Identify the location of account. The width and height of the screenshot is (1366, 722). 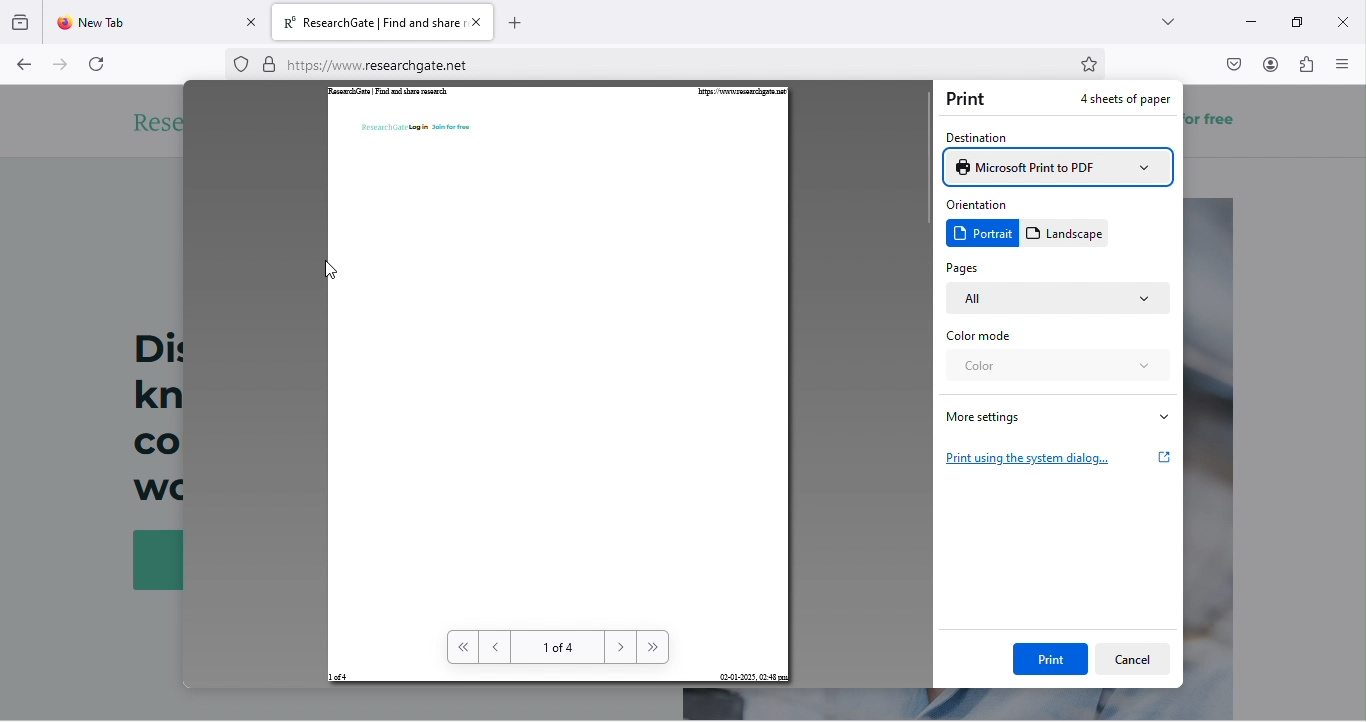
(1271, 64).